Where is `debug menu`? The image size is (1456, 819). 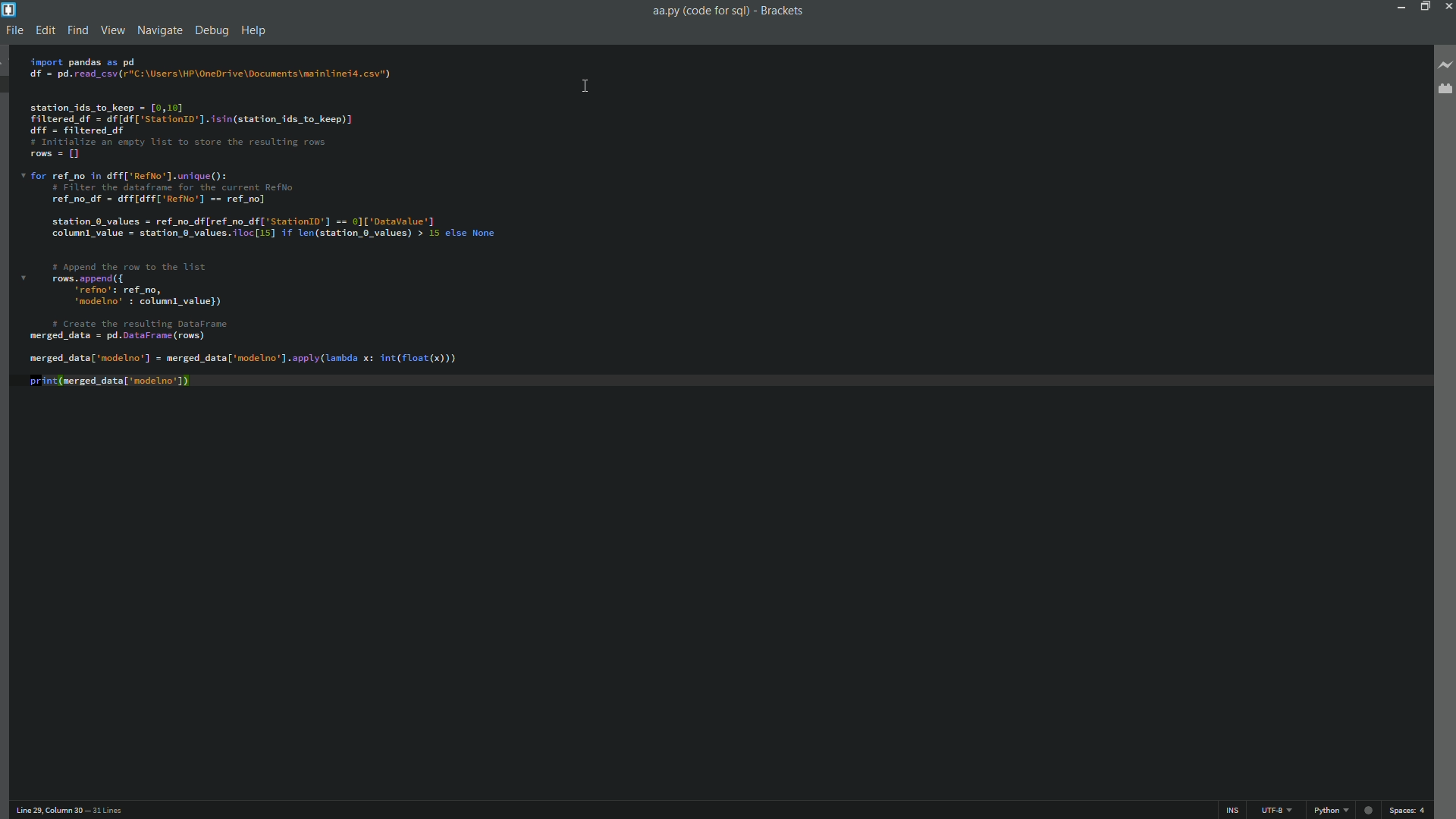
debug menu is located at coordinates (212, 30).